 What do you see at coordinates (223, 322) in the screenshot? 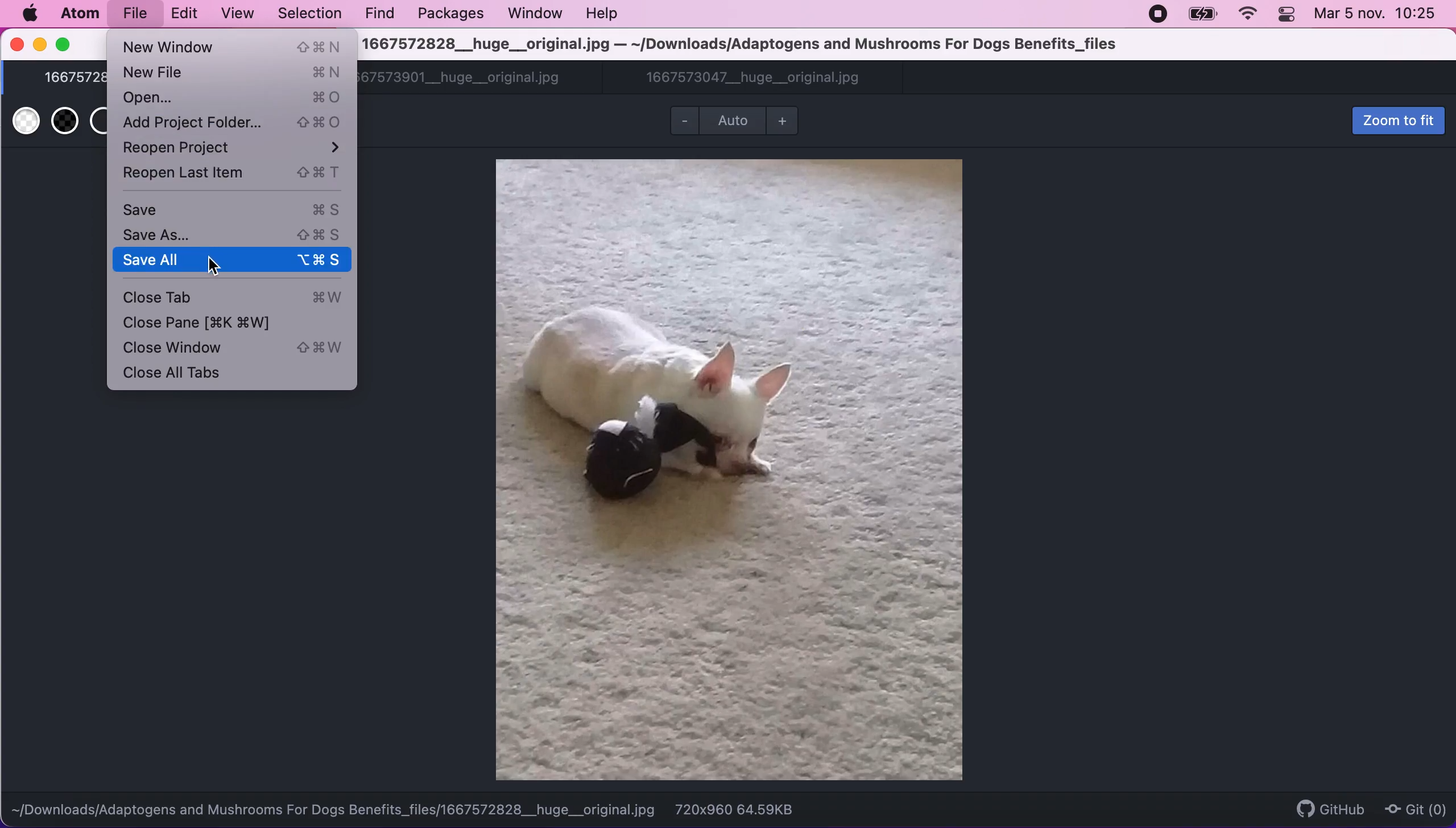
I see `close pane` at bounding box center [223, 322].